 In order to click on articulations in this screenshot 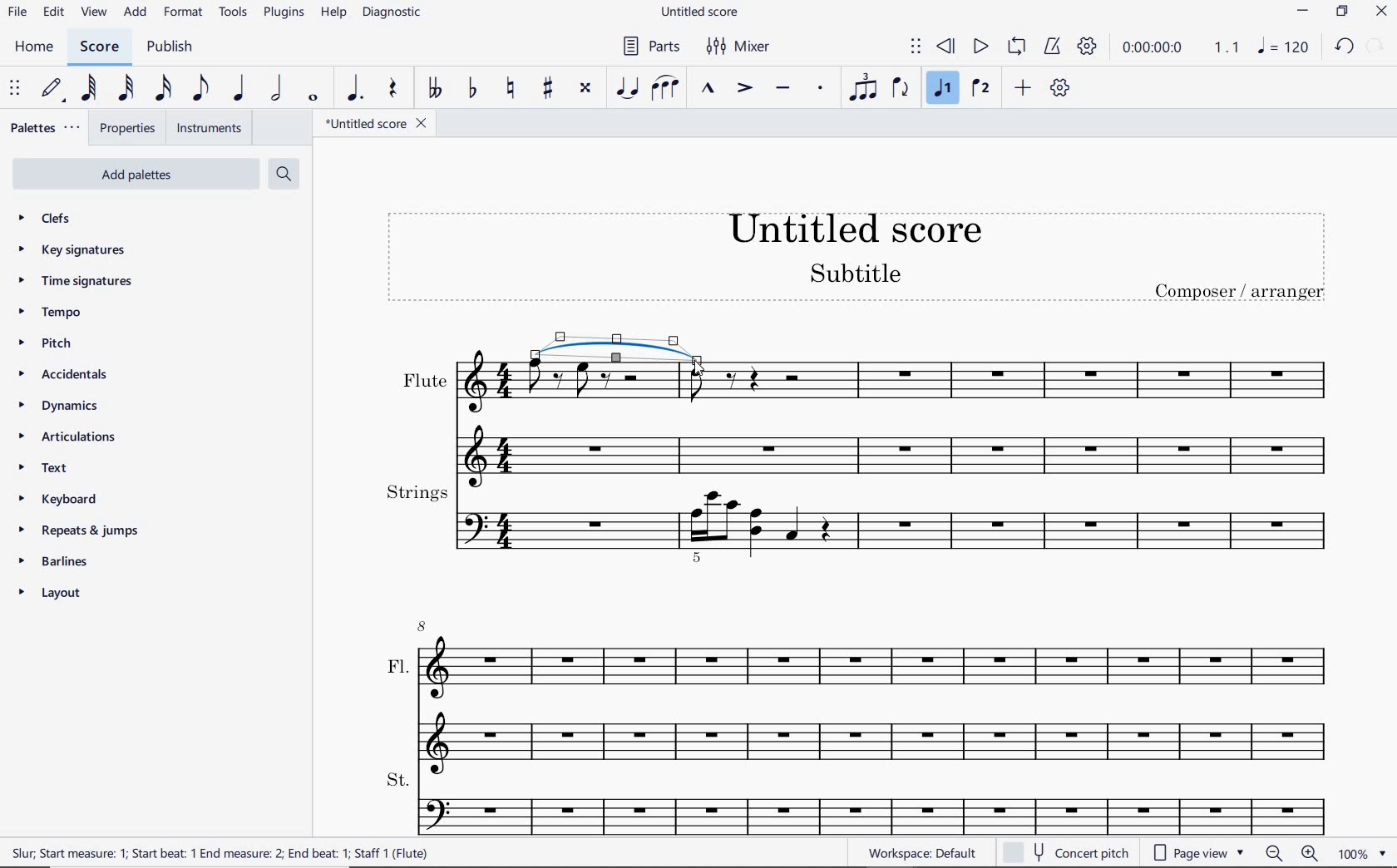, I will do `click(68, 437)`.